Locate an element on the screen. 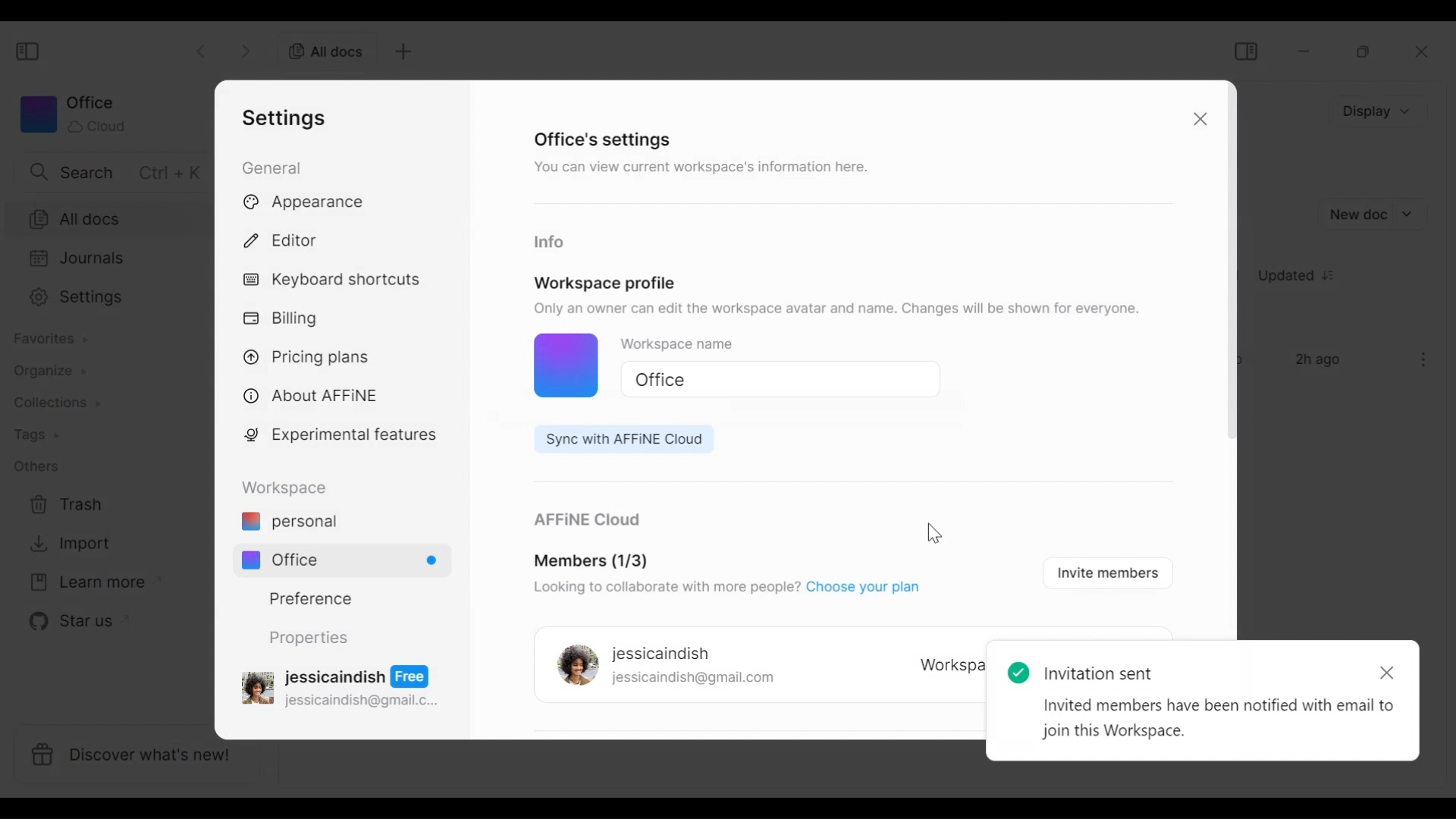  Preference is located at coordinates (305, 598).